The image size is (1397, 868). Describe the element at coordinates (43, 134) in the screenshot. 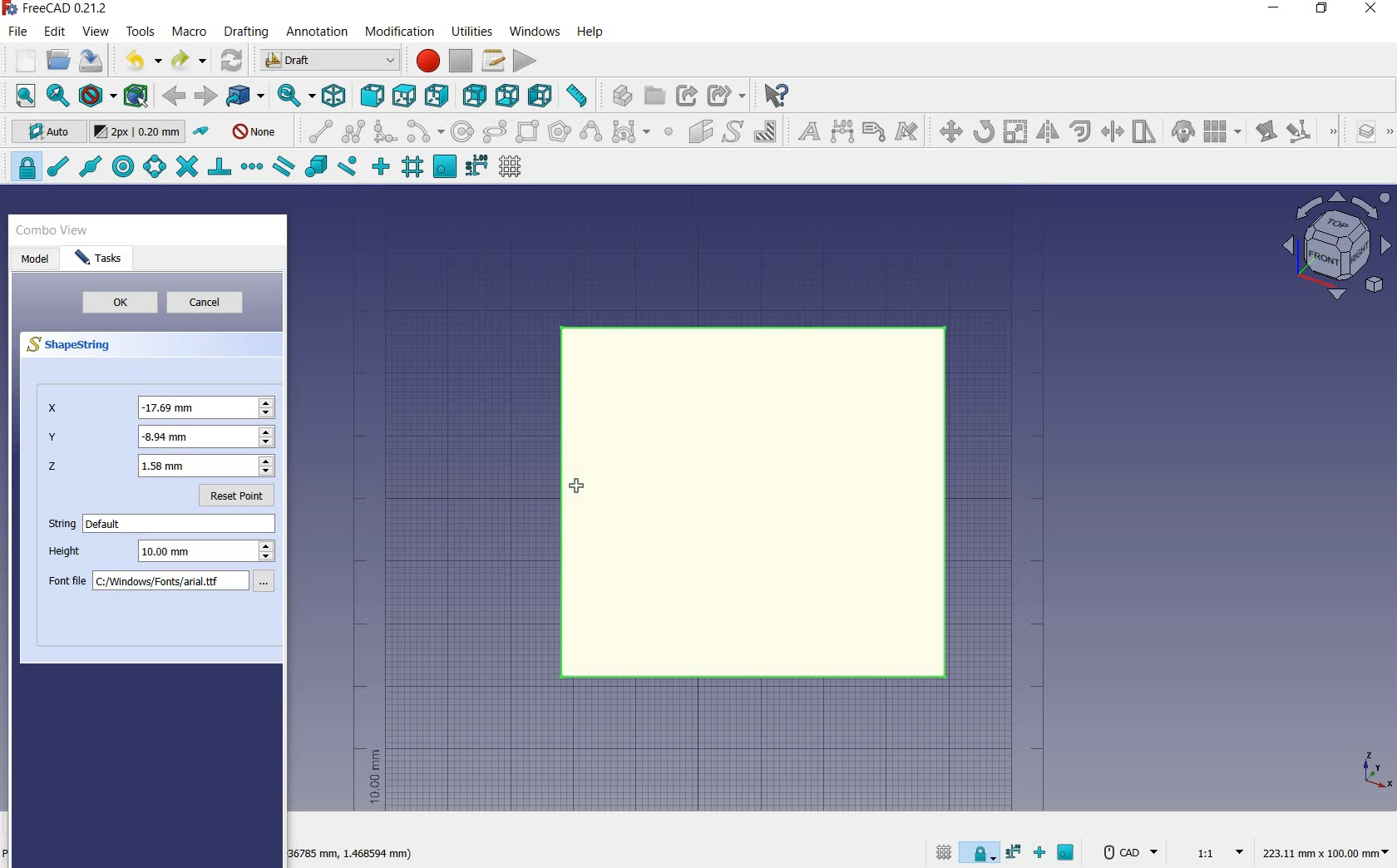

I see `current working plane: auto` at that location.